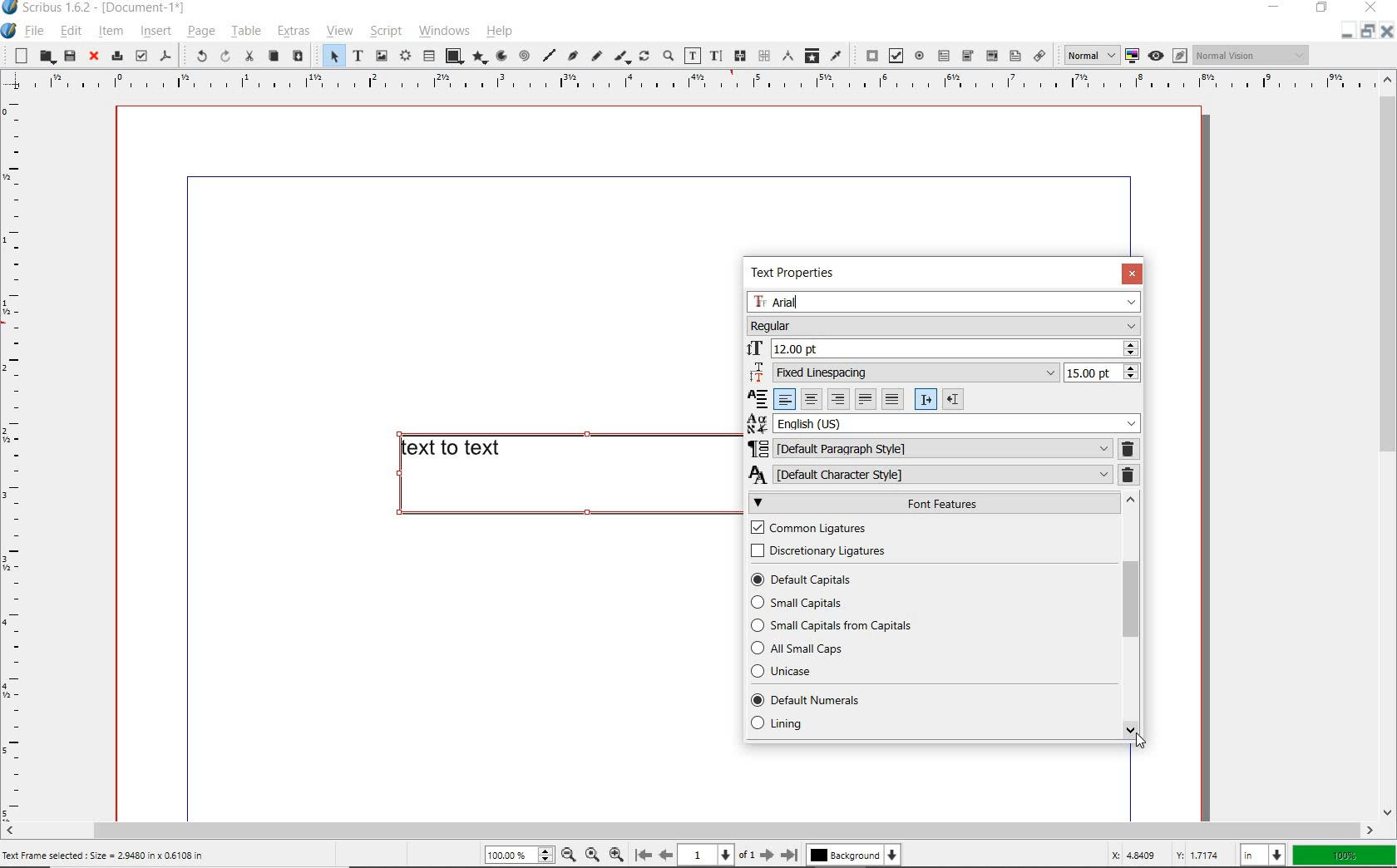 The image size is (1397, 868). Describe the element at coordinates (1179, 57) in the screenshot. I see `Edit in preview mode` at that location.